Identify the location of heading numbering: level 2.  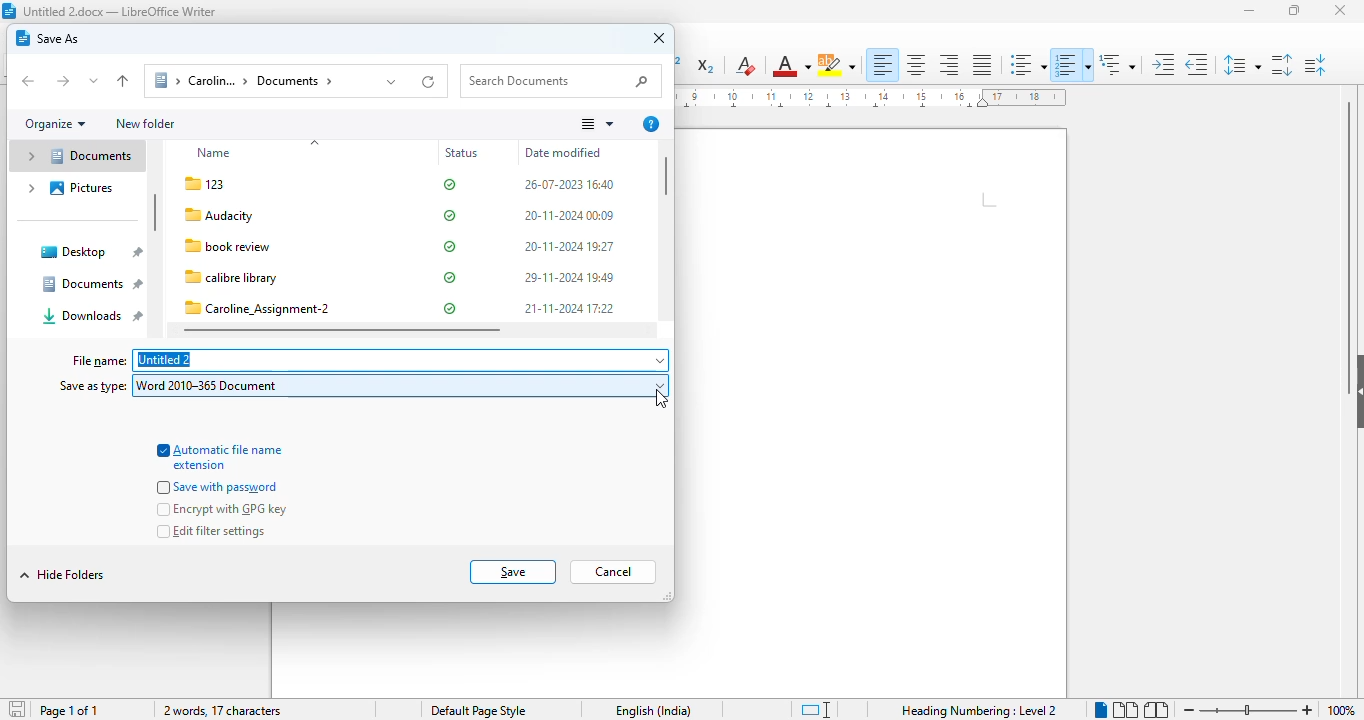
(978, 710).